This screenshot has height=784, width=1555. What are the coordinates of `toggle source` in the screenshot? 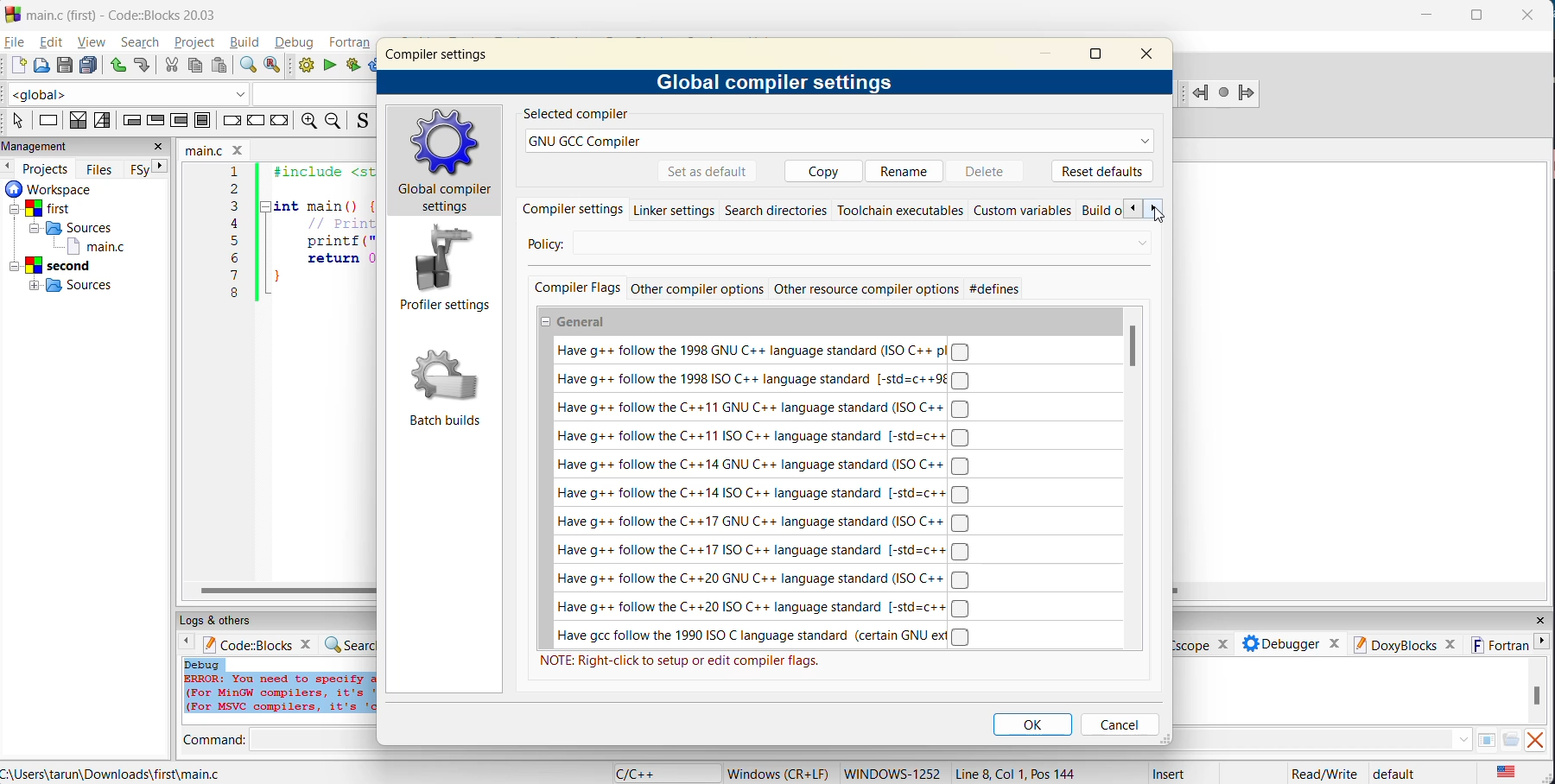 It's located at (361, 122).